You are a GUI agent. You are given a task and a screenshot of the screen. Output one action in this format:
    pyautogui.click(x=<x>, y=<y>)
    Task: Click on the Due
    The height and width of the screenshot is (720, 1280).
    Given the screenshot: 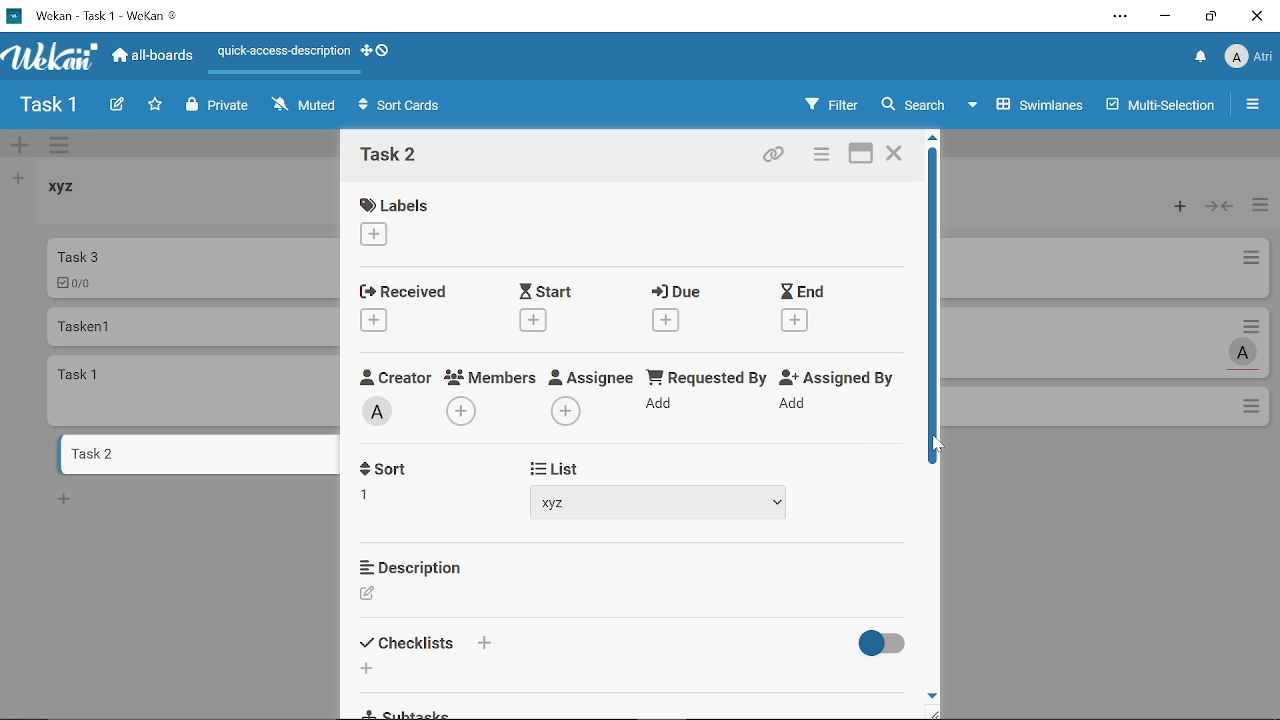 What is the action you would take?
    pyautogui.click(x=676, y=290)
    